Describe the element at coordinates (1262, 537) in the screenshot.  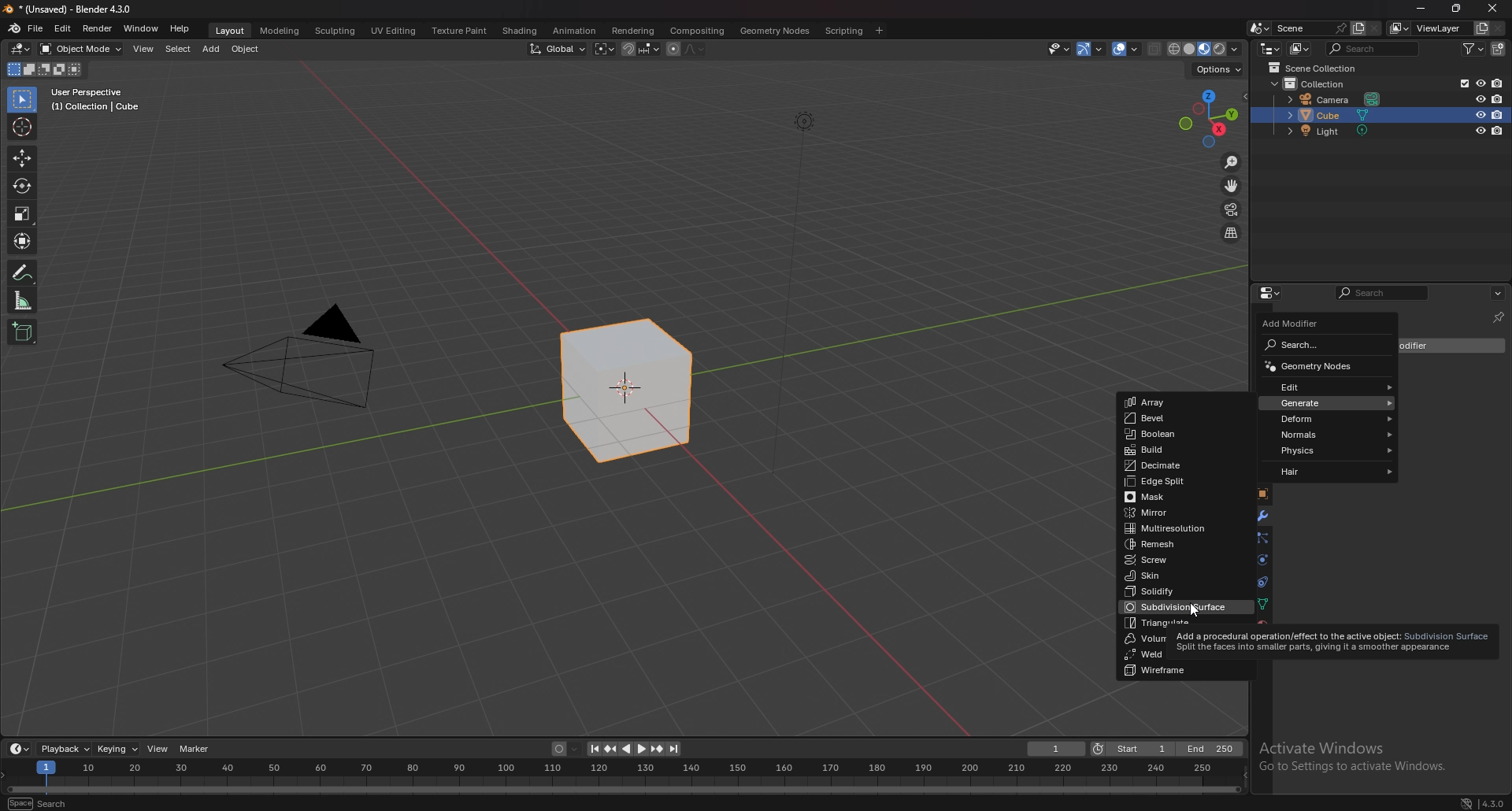
I see `particles` at that location.